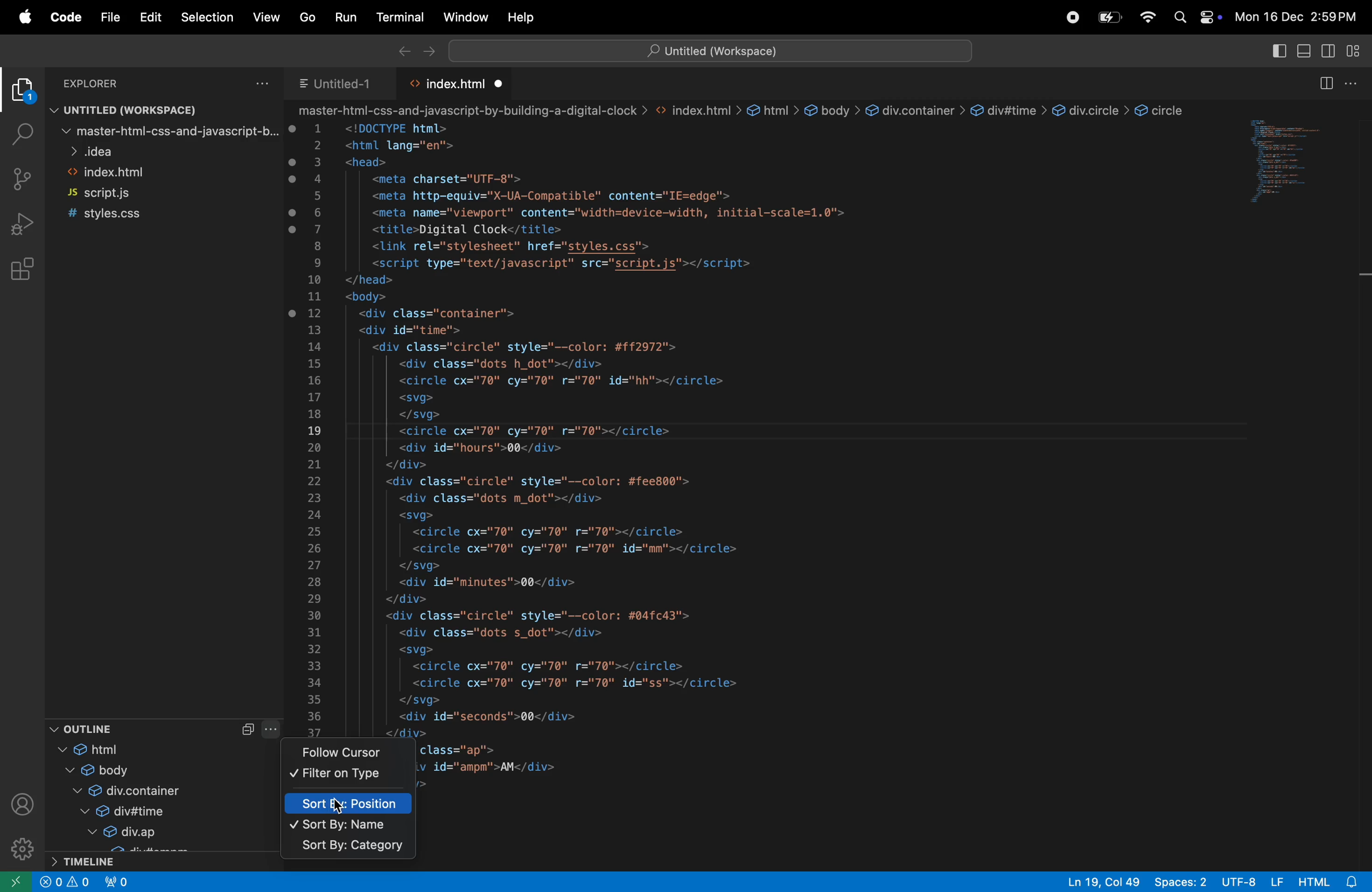 The image size is (1372, 892). I want to click on unsaved changes made, so click(295, 222).